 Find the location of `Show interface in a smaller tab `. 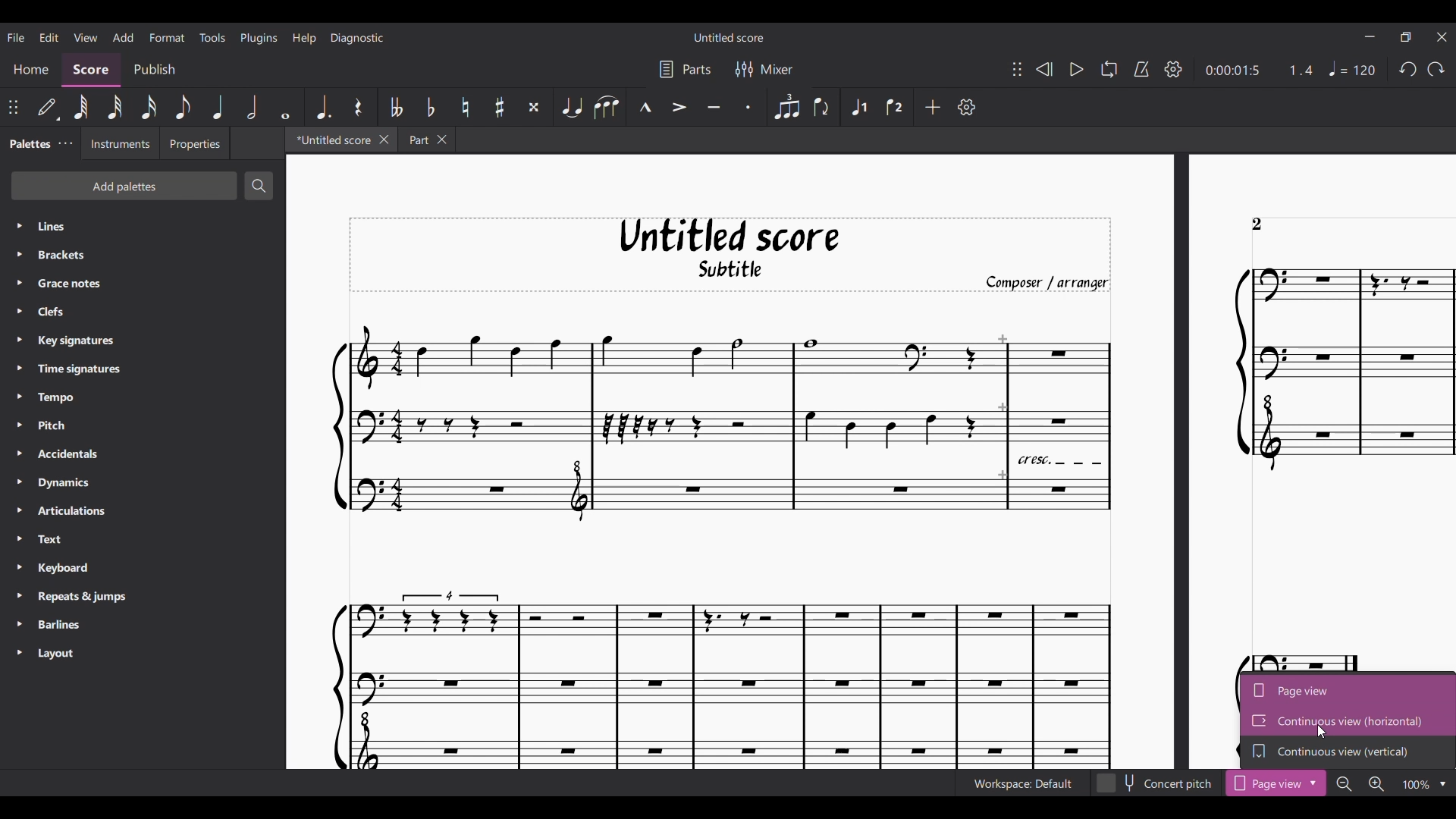

Show interface in a smaller tab  is located at coordinates (1406, 37).